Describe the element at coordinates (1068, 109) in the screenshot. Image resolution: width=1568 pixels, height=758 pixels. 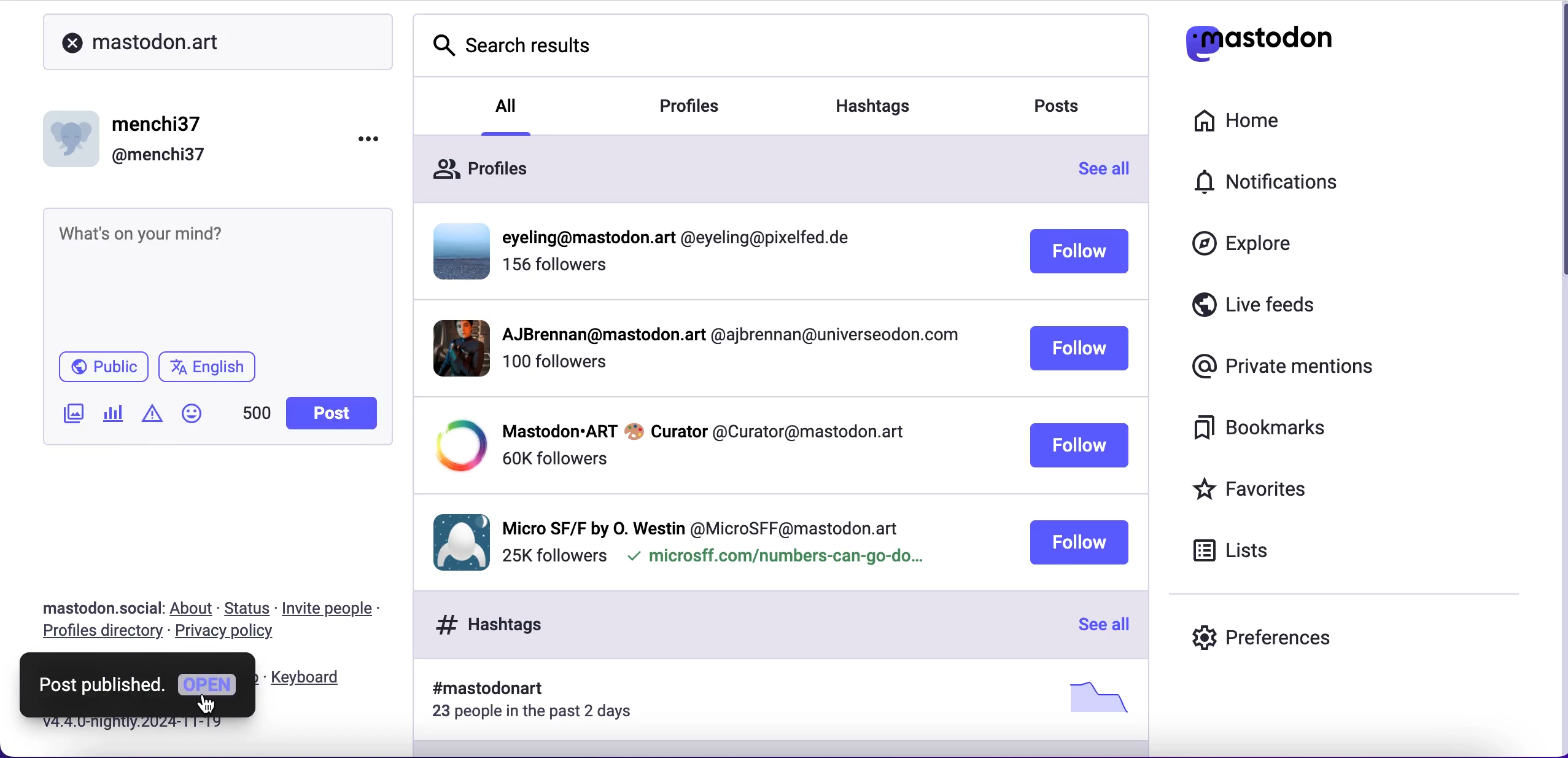
I see `posts` at that location.